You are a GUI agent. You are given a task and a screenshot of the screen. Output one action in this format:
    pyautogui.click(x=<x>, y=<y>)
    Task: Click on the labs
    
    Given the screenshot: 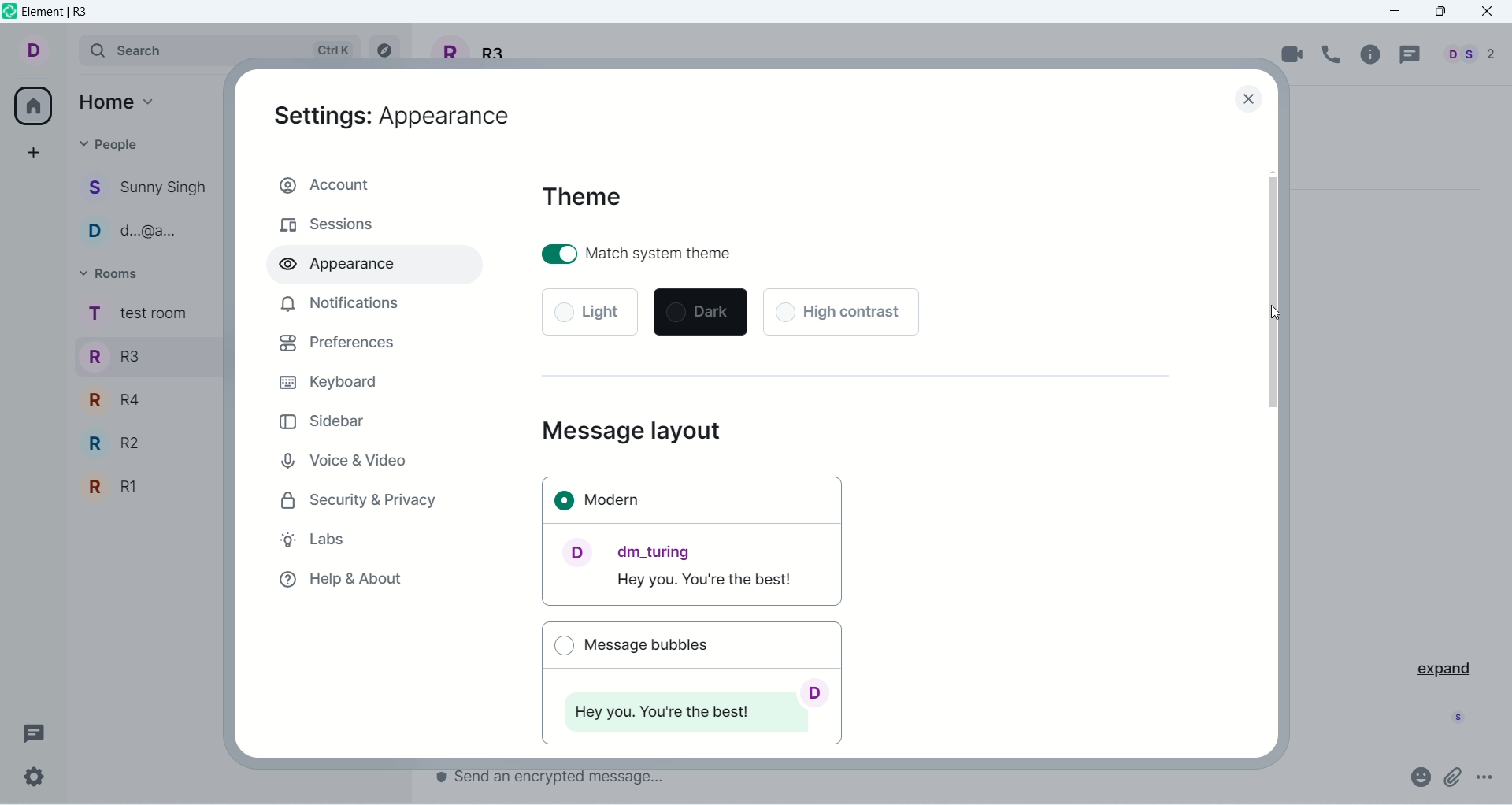 What is the action you would take?
    pyautogui.click(x=321, y=542)
    